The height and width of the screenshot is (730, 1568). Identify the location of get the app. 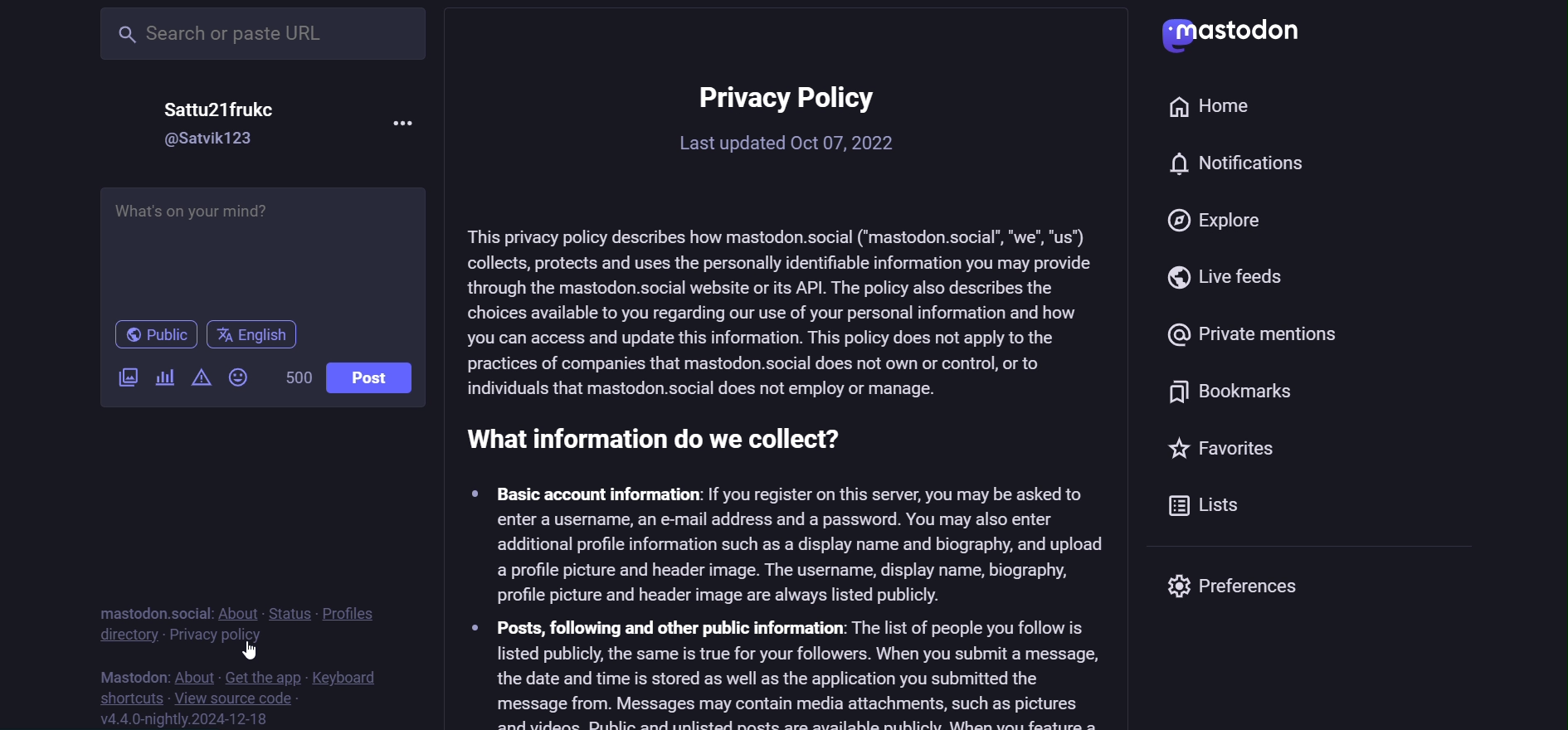
(262, 679).